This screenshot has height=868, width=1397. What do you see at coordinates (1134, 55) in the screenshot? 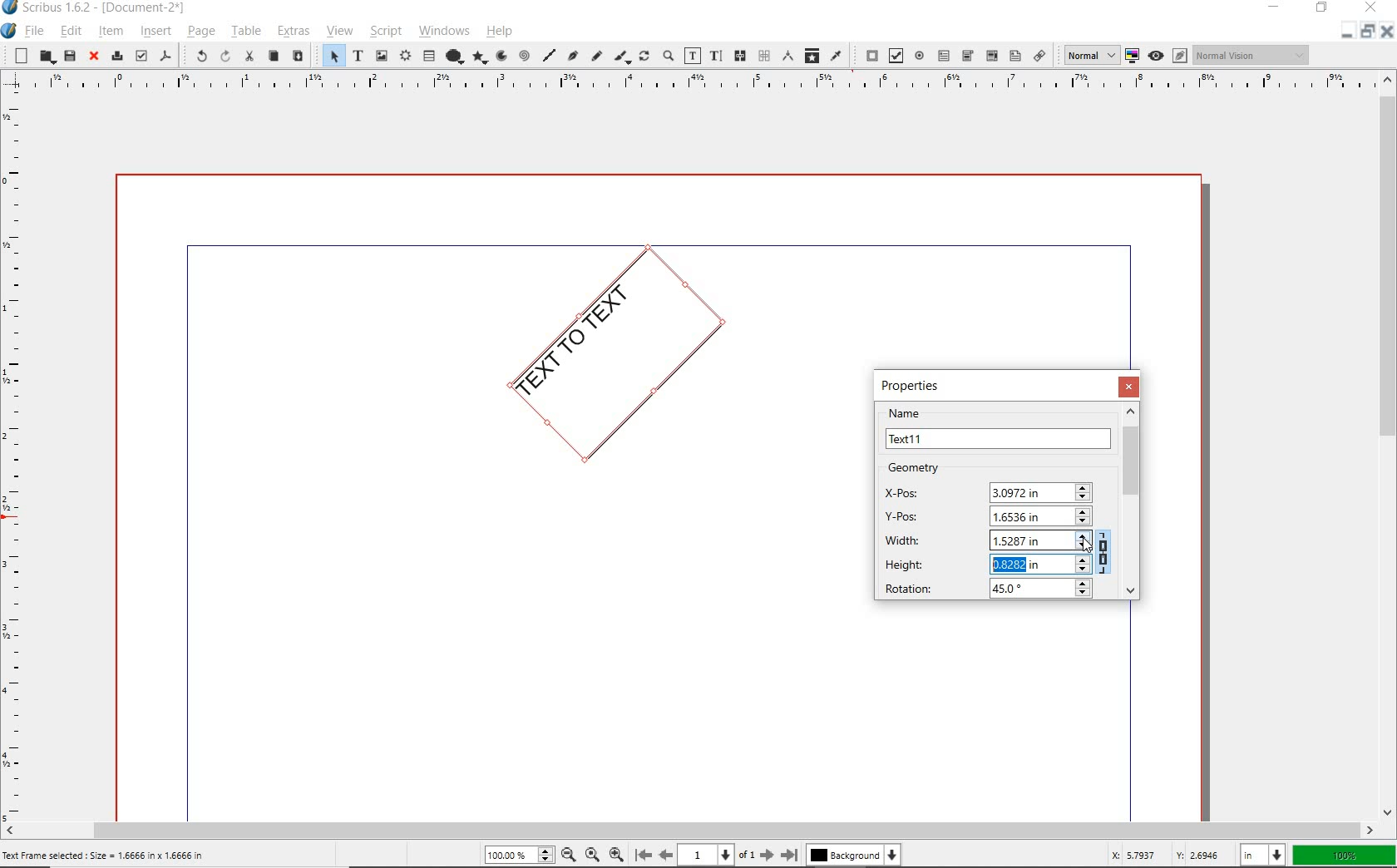
I see `toggle color` at bounding box center [1134, 55].